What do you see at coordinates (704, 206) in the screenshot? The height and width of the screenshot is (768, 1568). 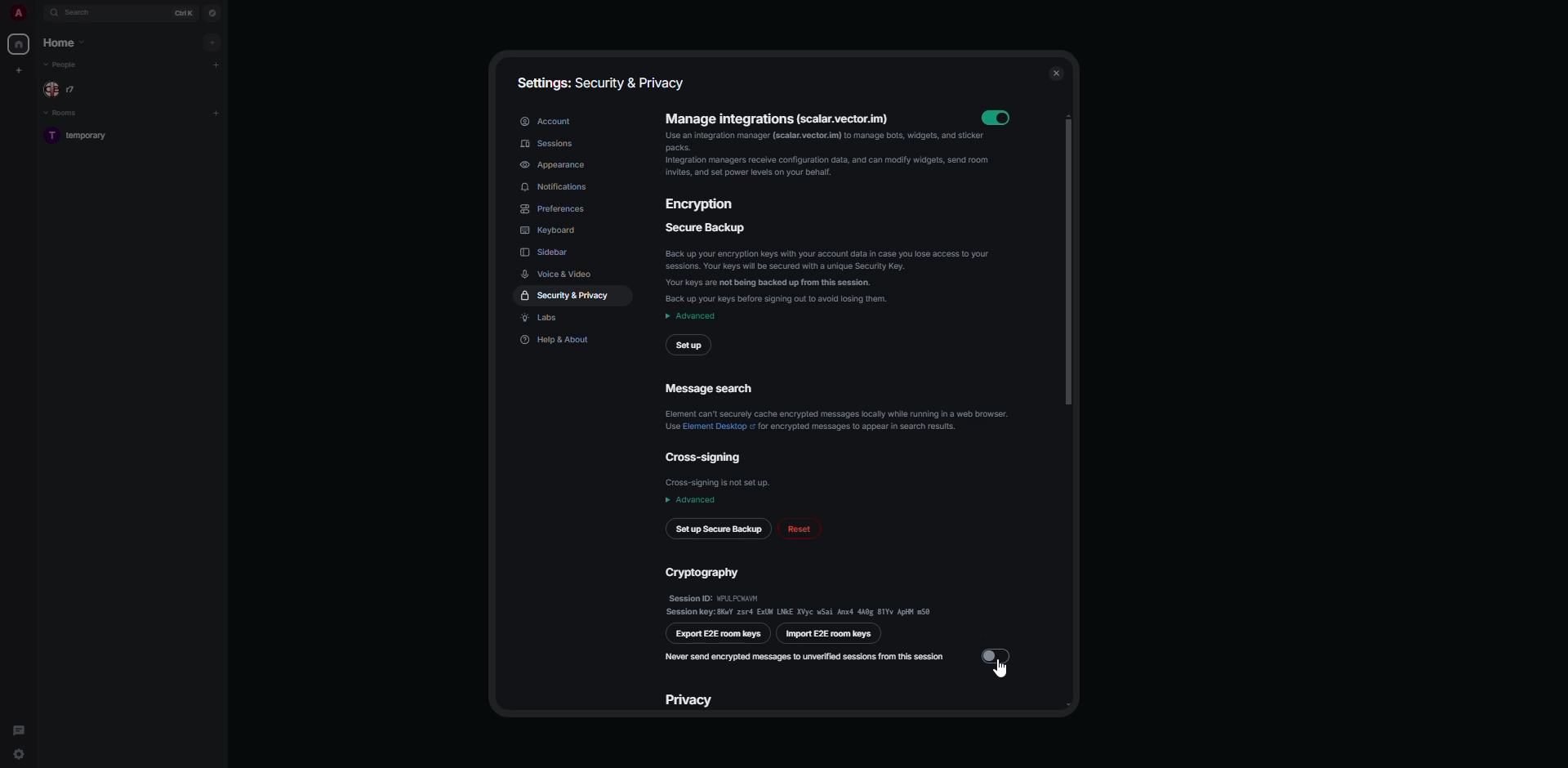 I see `encryption` at bounding box center [704, 206].